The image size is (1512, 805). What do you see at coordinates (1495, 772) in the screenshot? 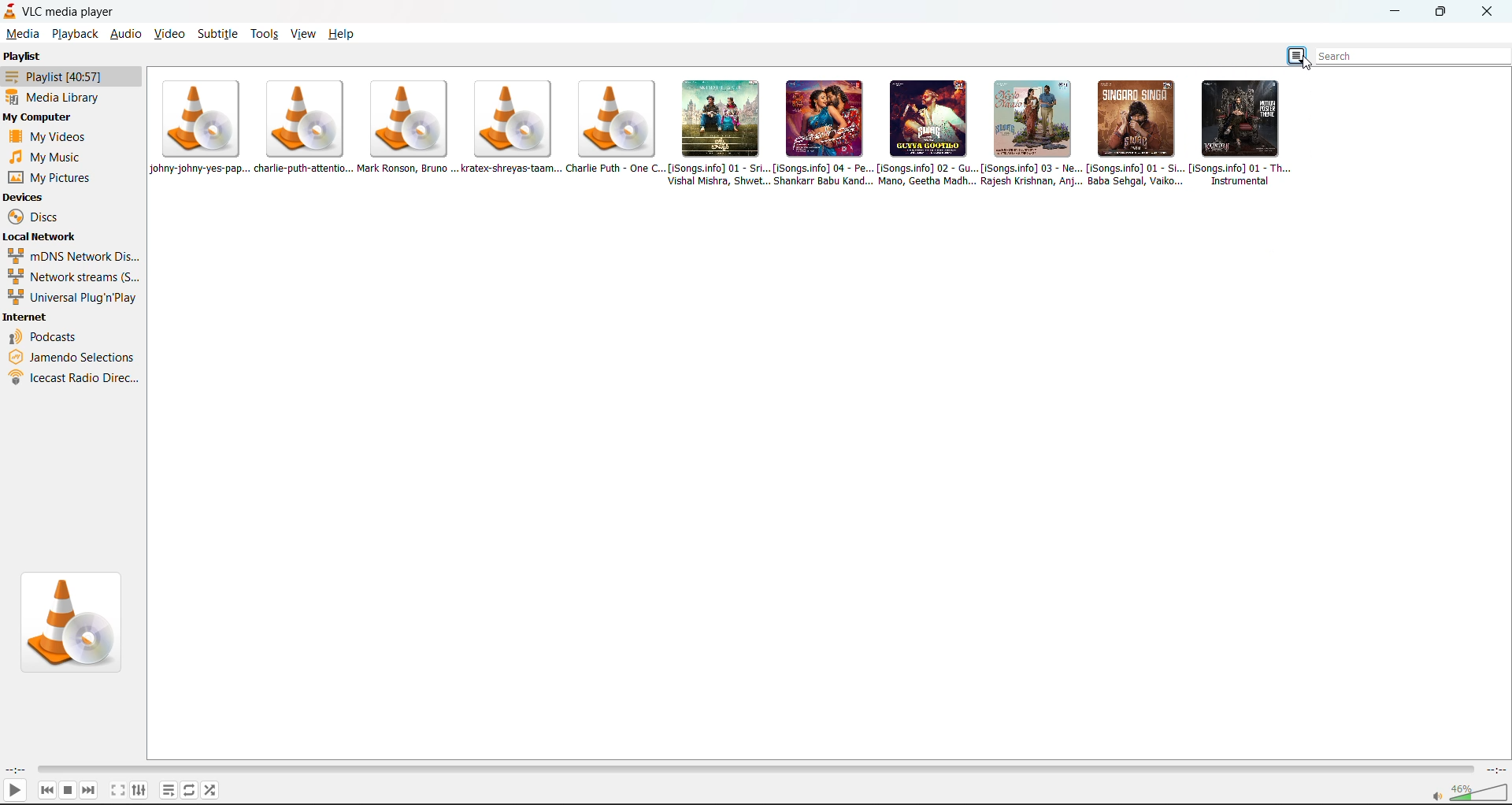
I see `total track time` at bounding box center [1495, 772].